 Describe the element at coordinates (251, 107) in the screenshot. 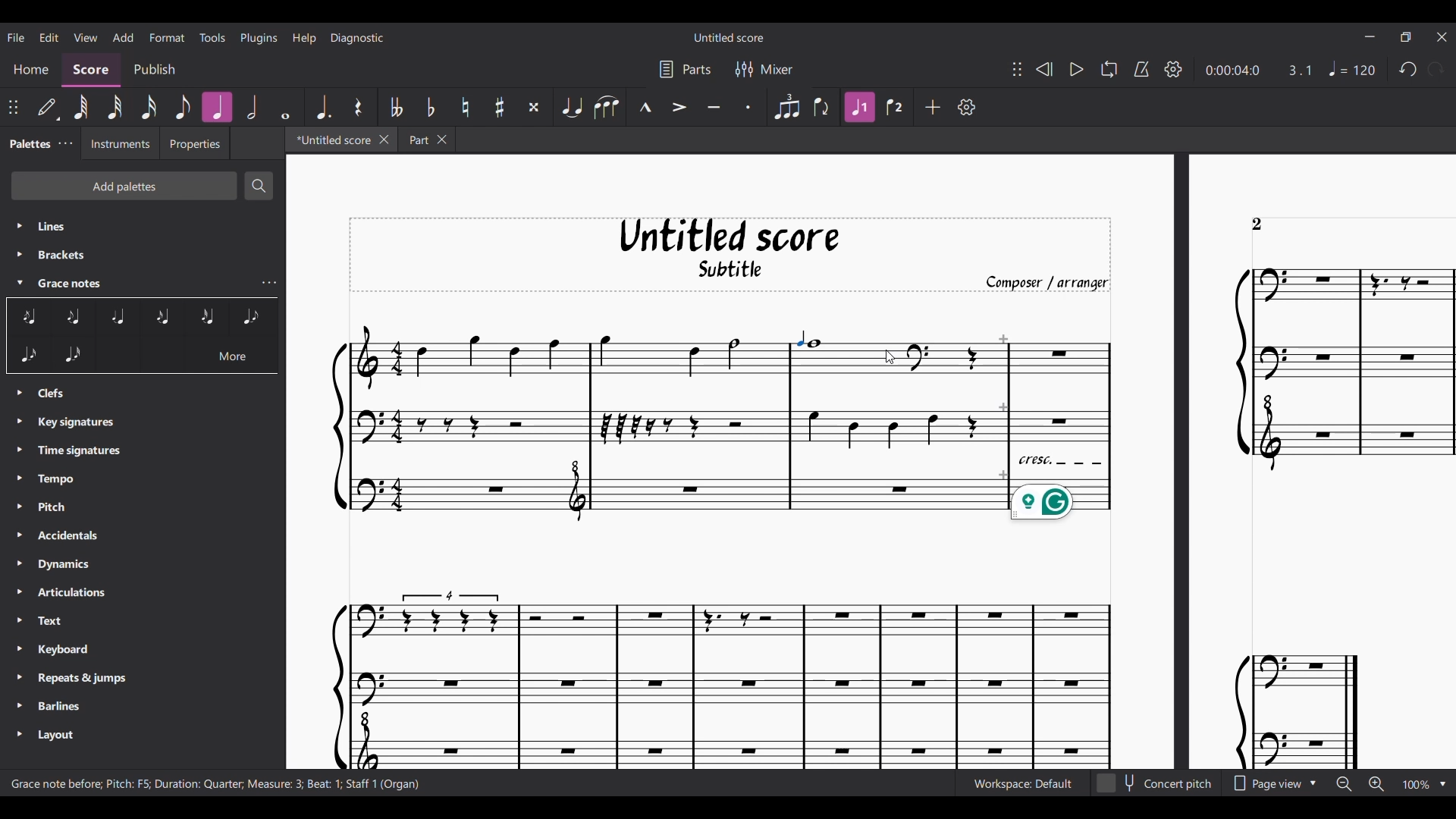

I see `Half note` at that location.